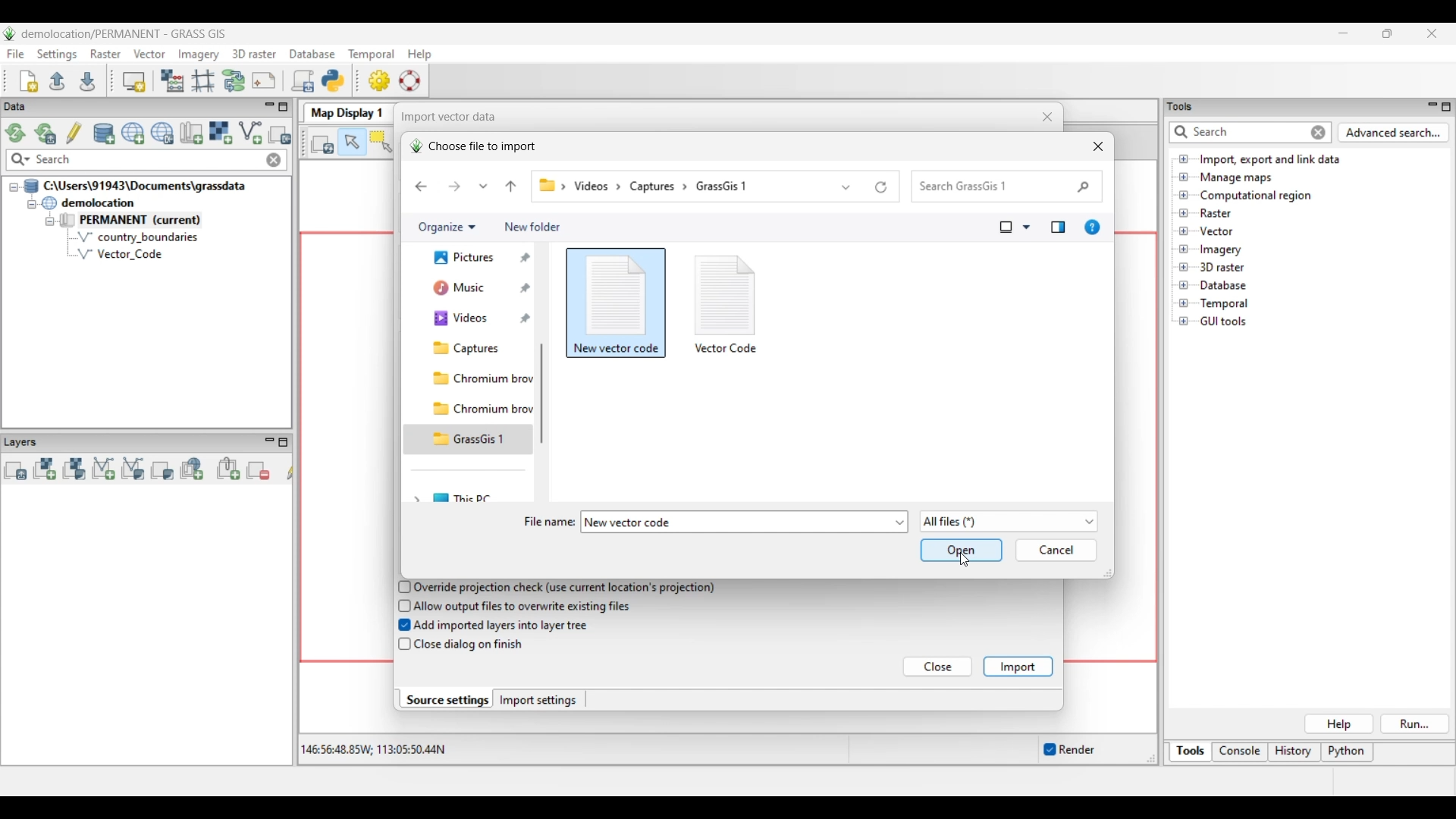 This screenshot has height=819, width=1456. What do you see at coordinates (1184, 177) in the screenshot?
I see `Click to open Manage maps` at bounding box center [1184, 177].